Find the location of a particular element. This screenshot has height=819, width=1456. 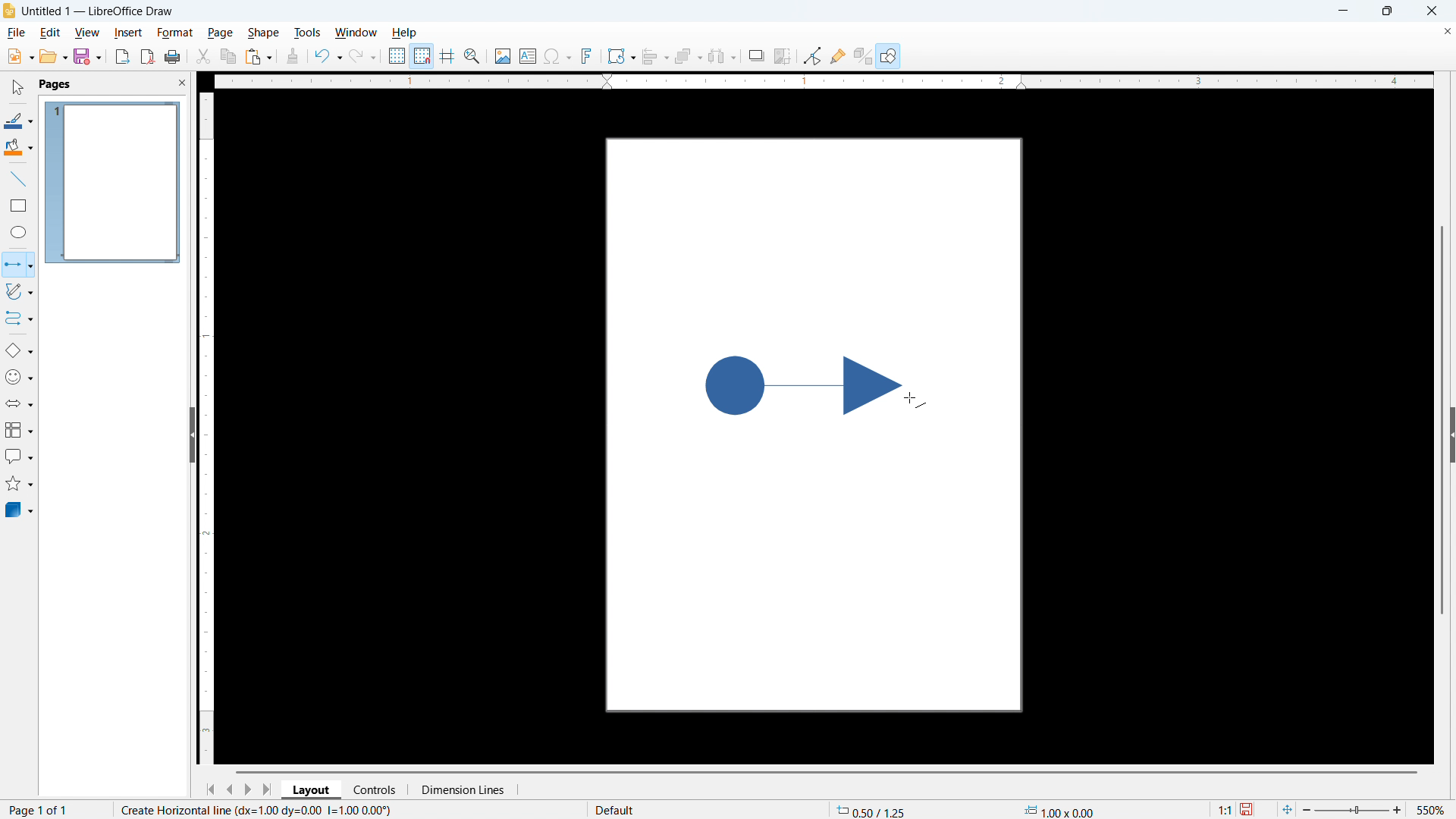

Close document  is located at coordinates (1446, 31).